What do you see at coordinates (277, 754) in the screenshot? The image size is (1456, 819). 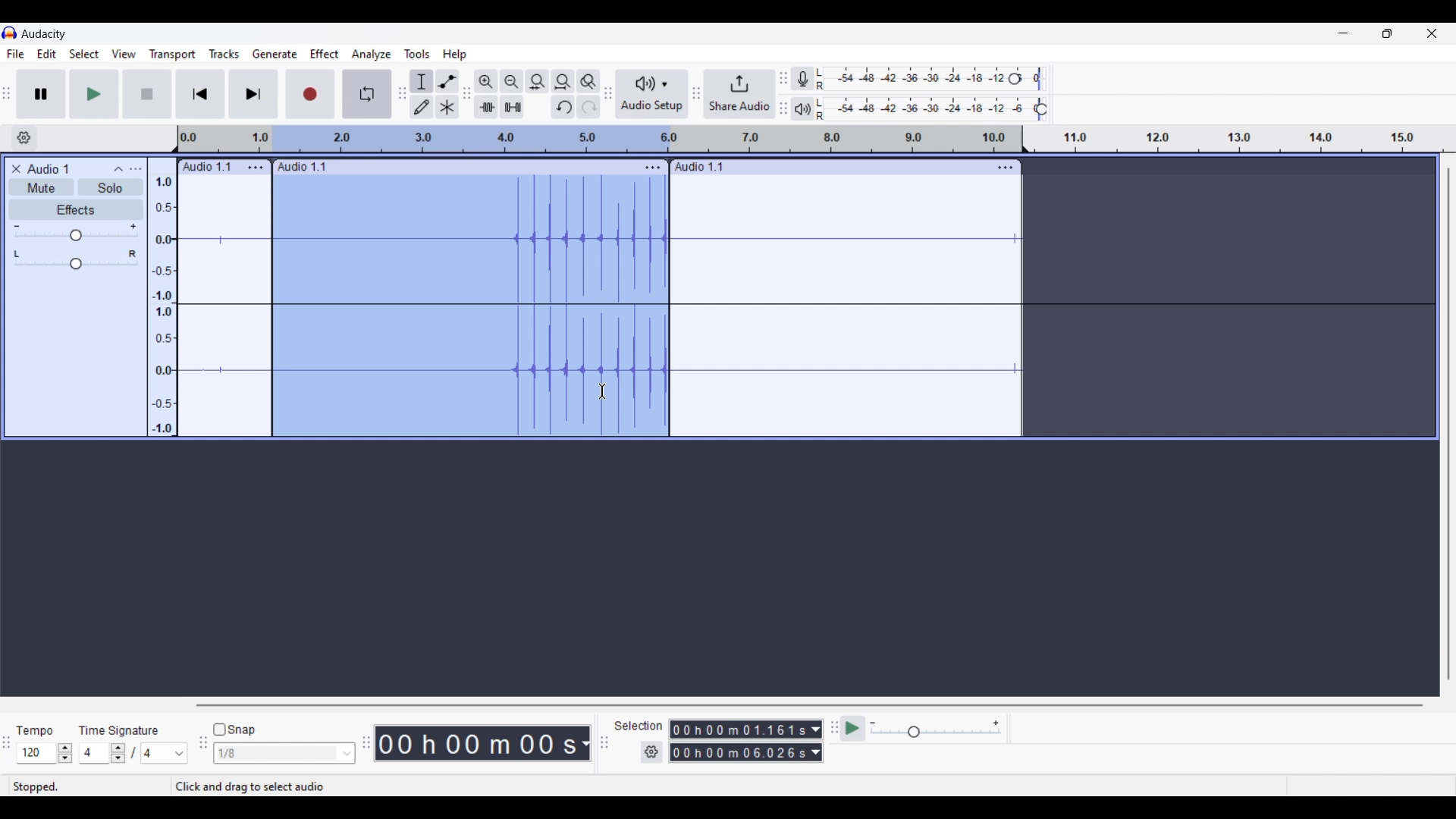 I see `Type in snap` at bounding box center [277, 754].